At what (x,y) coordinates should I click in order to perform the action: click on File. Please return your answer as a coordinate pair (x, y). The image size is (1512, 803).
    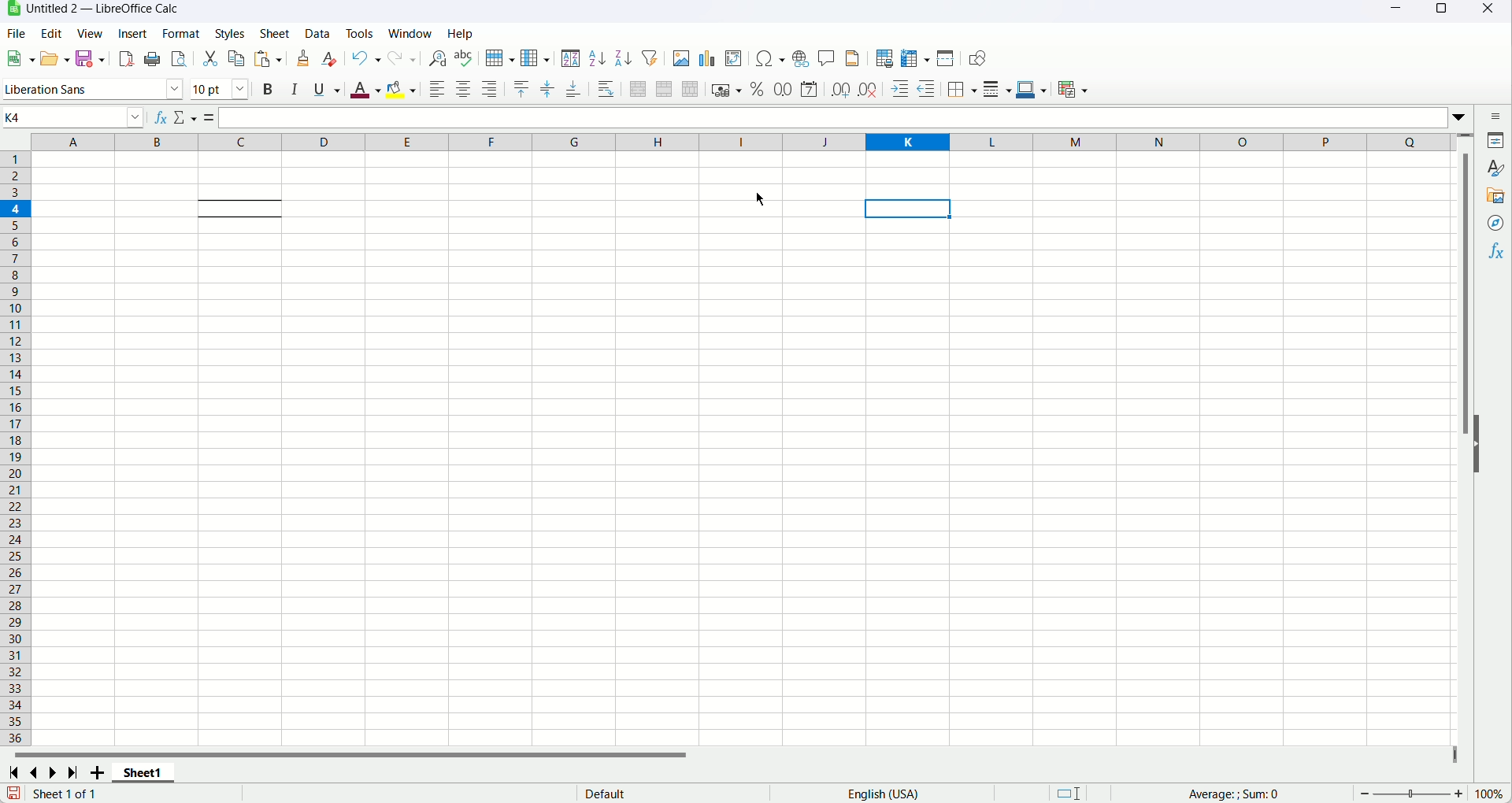
    Looking at the image, I should click on (15, 33).